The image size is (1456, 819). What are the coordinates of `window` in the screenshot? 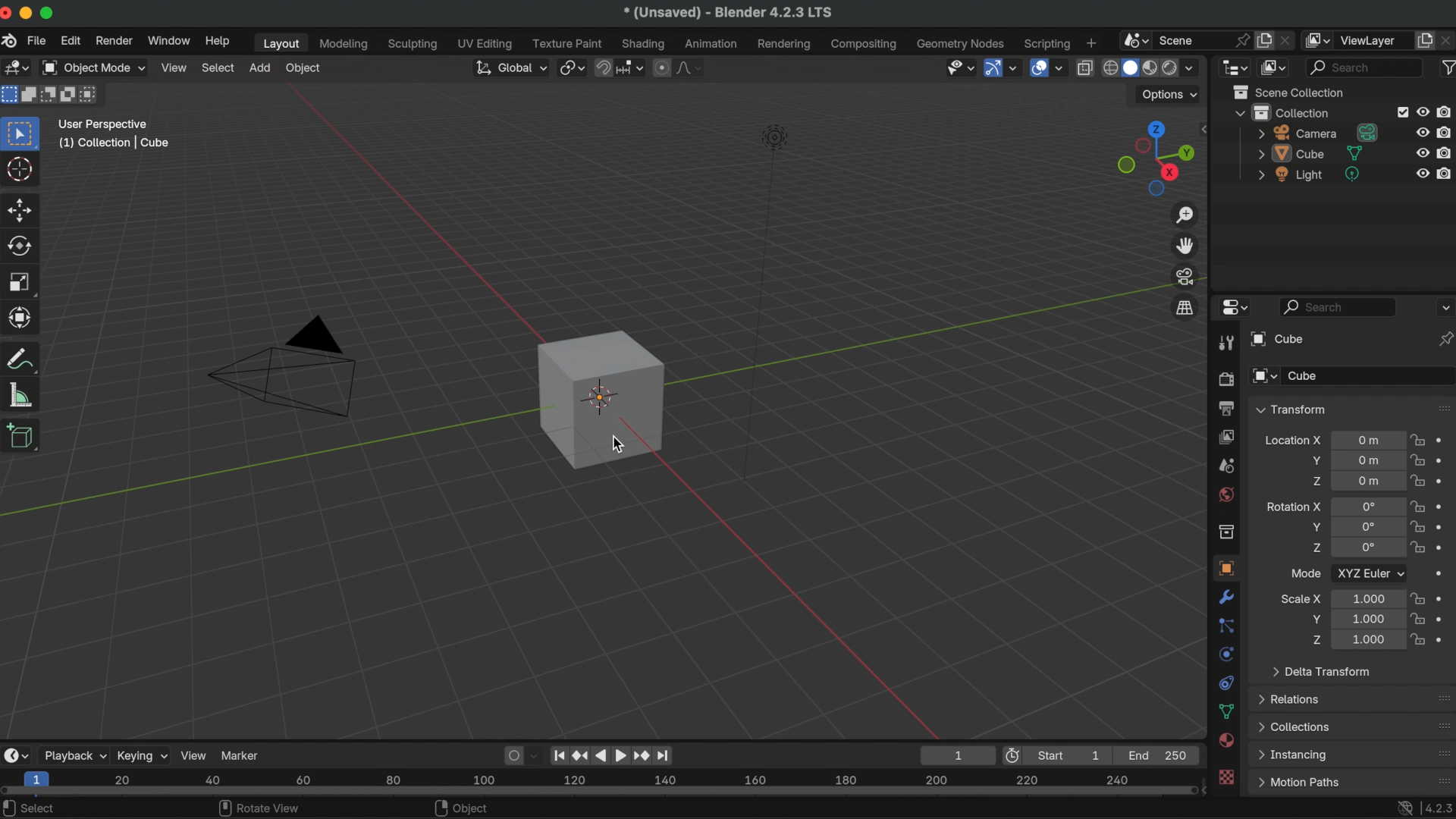 It's located at (168, 40).